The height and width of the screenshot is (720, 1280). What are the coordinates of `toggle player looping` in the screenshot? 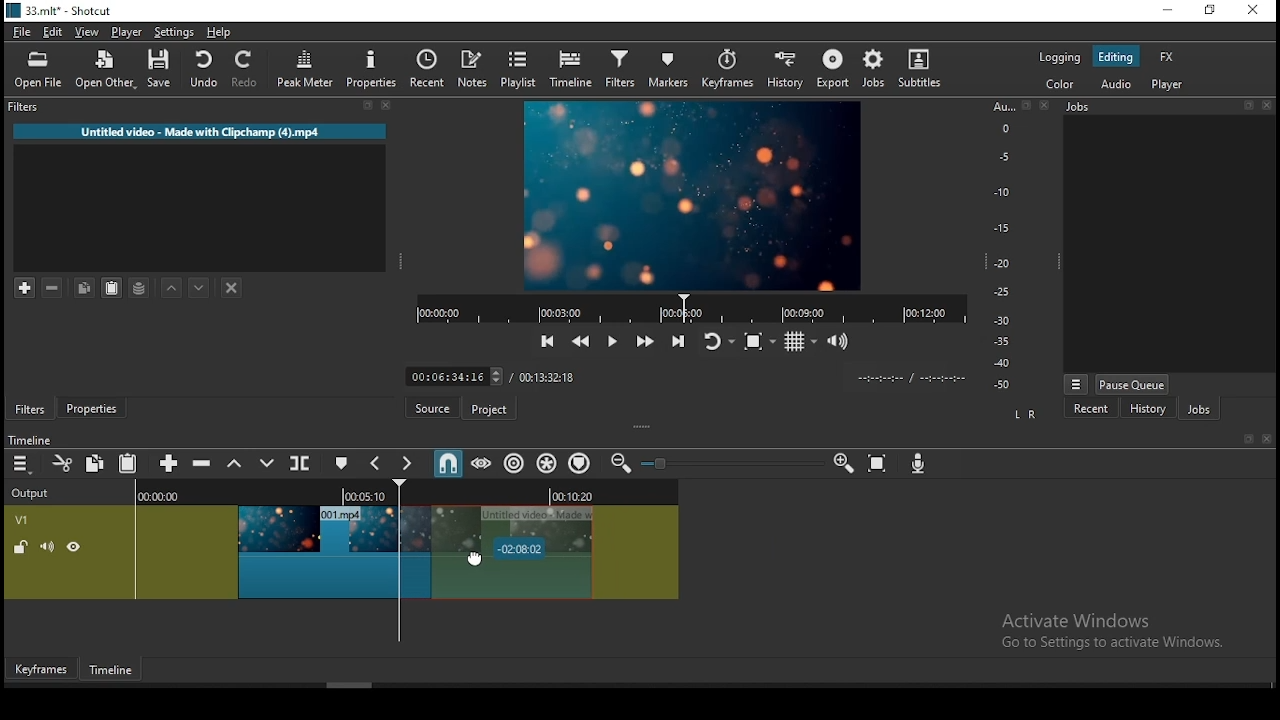 It's located at (716, 343).